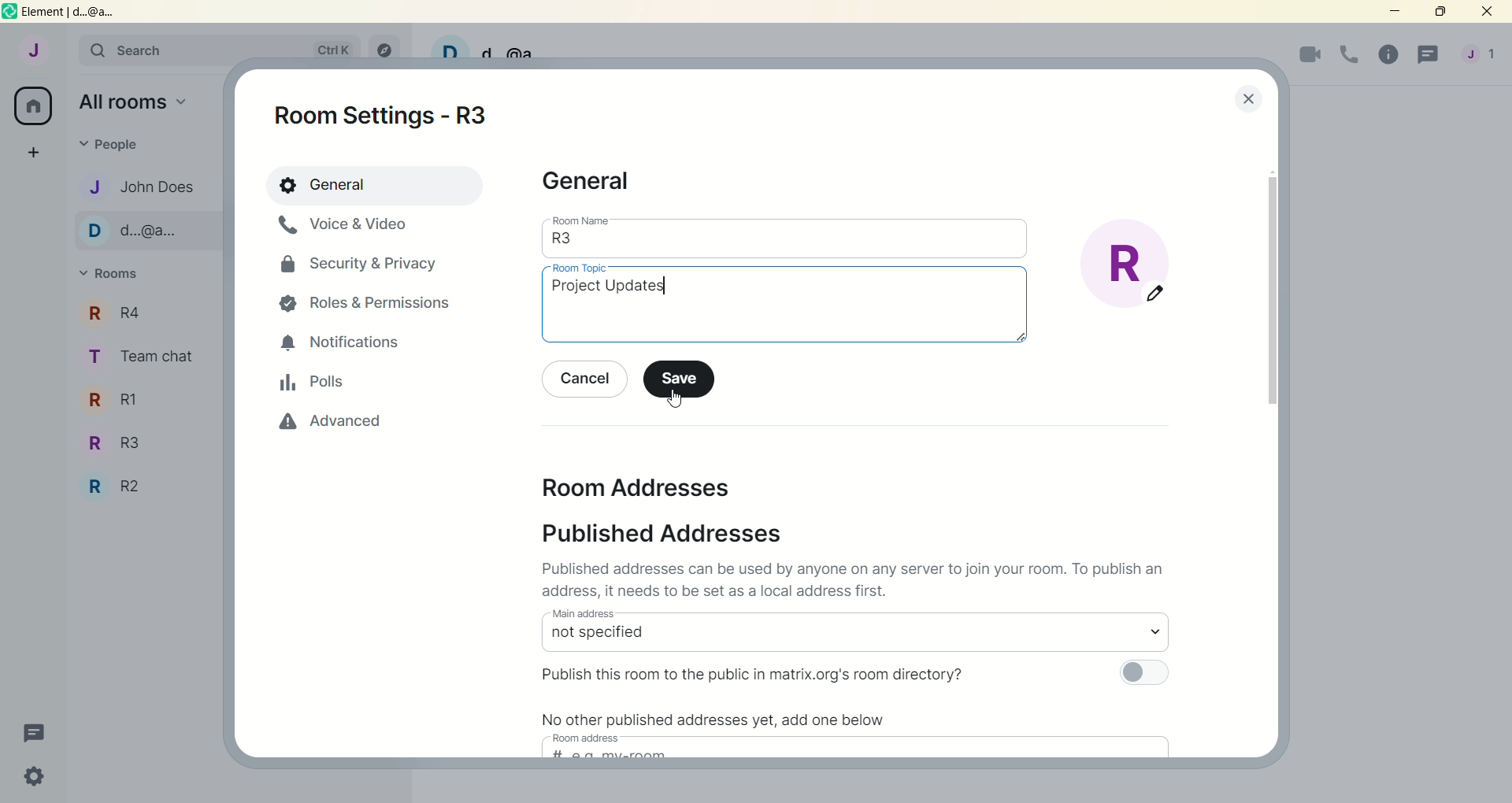 Image resolution: width=1512 pixels, height=803 pixels. I want to click on rooms, so click(109, 273).